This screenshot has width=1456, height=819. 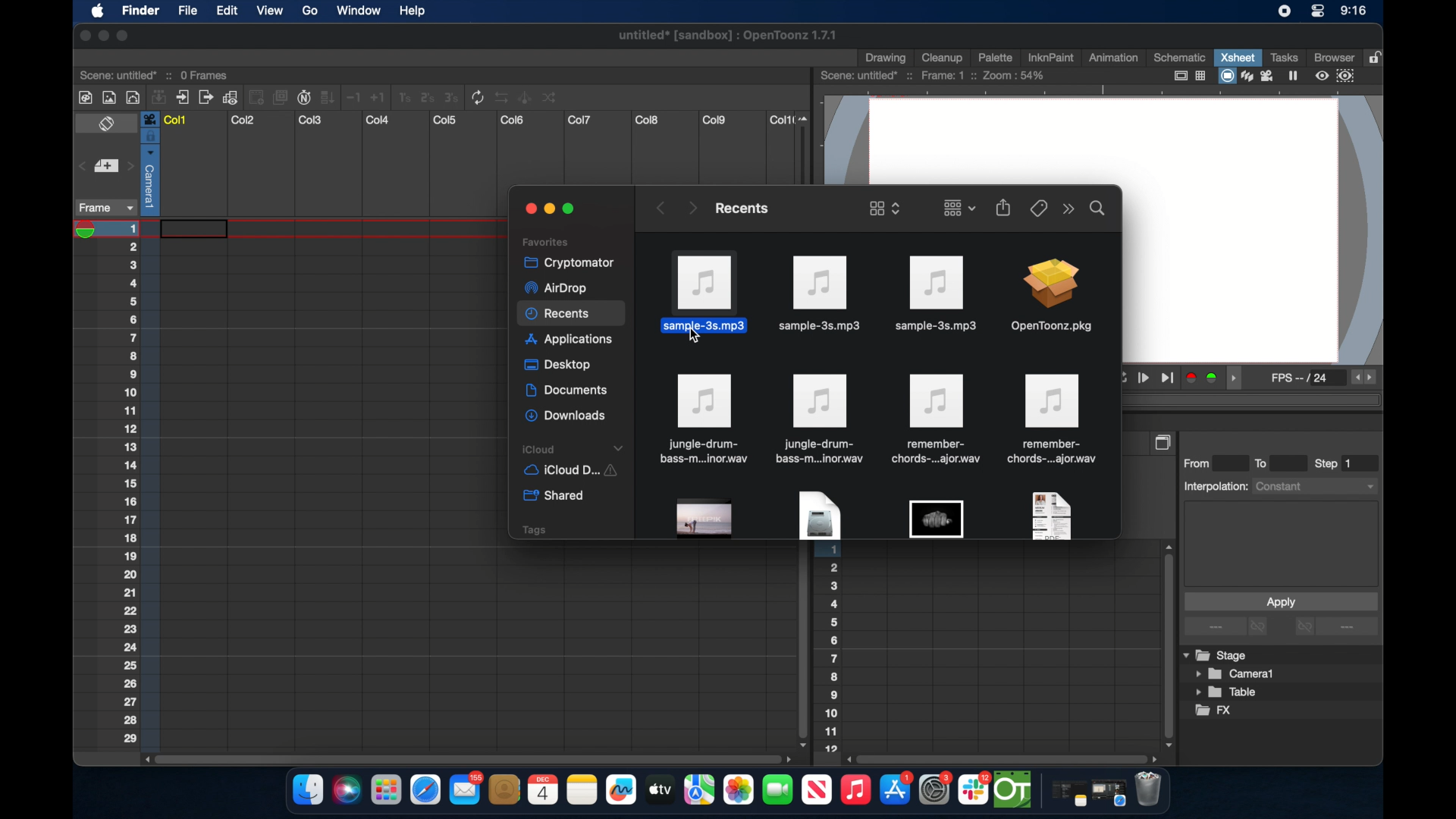 I want to click on mp3 icon, so click(x=934, y=293).